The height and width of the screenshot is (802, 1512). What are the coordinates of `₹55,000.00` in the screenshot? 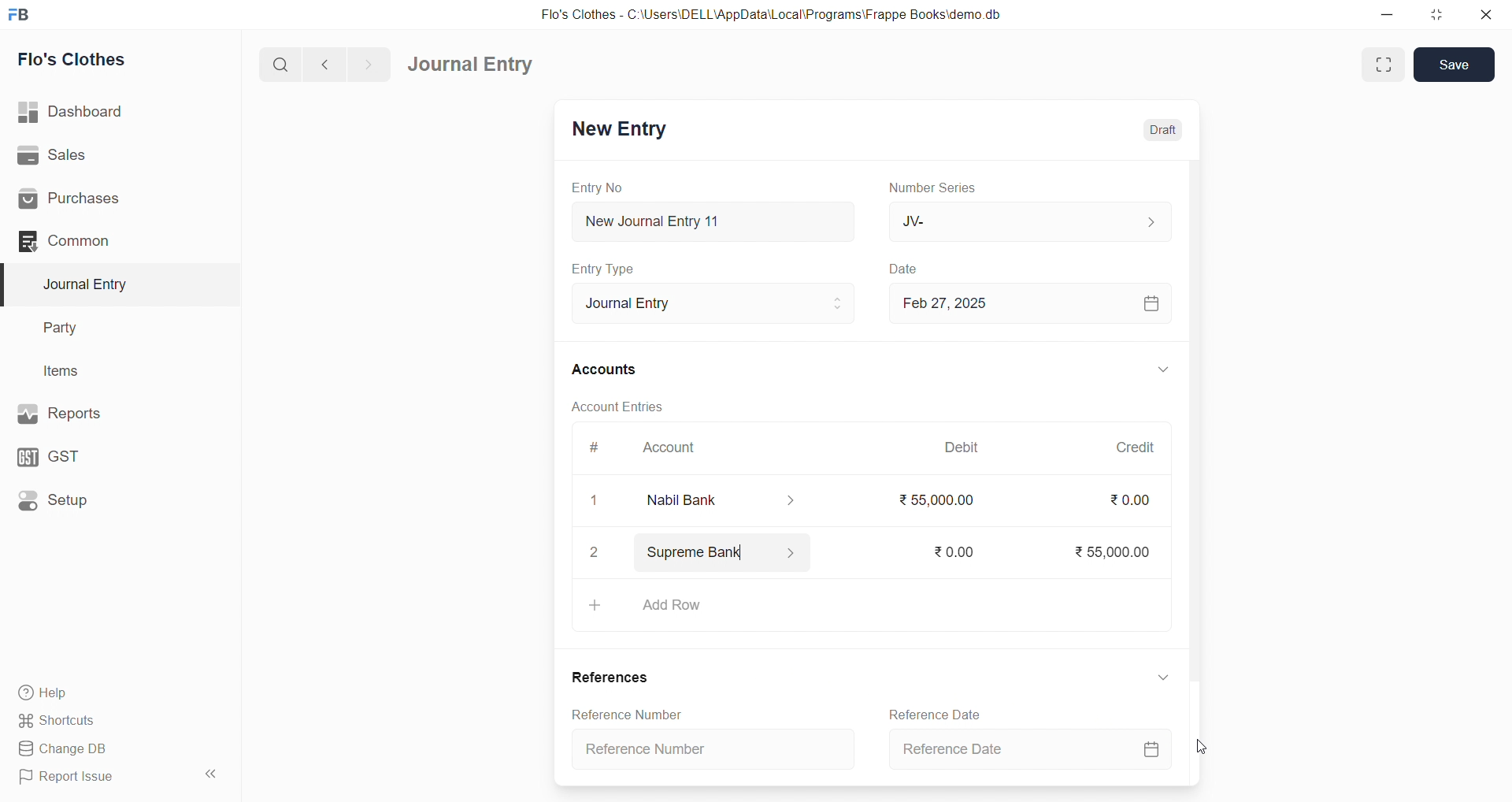 It's located at (1118, 553).